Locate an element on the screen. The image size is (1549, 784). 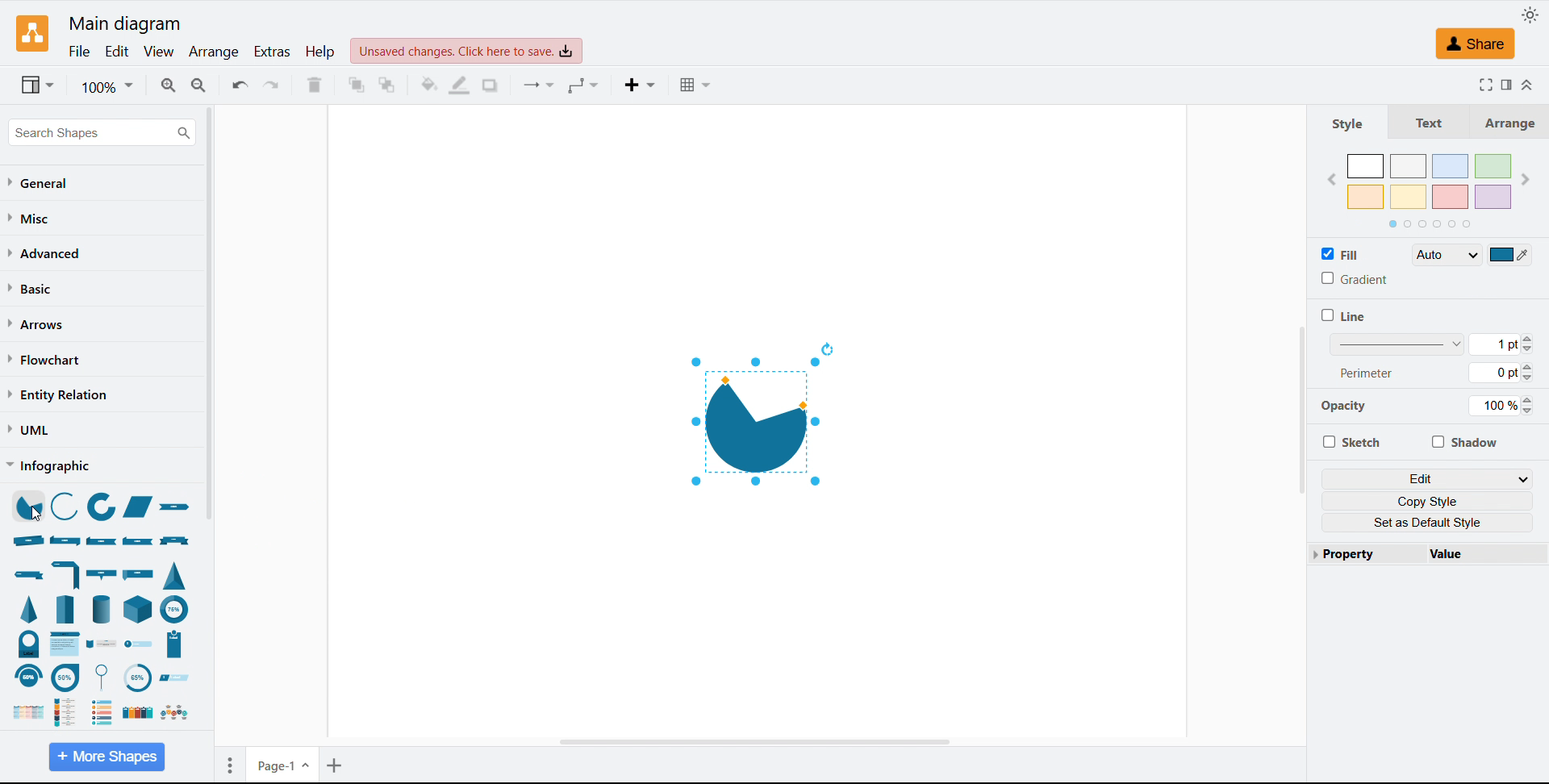
roadmap vertical is located at coordinates (102, 642).